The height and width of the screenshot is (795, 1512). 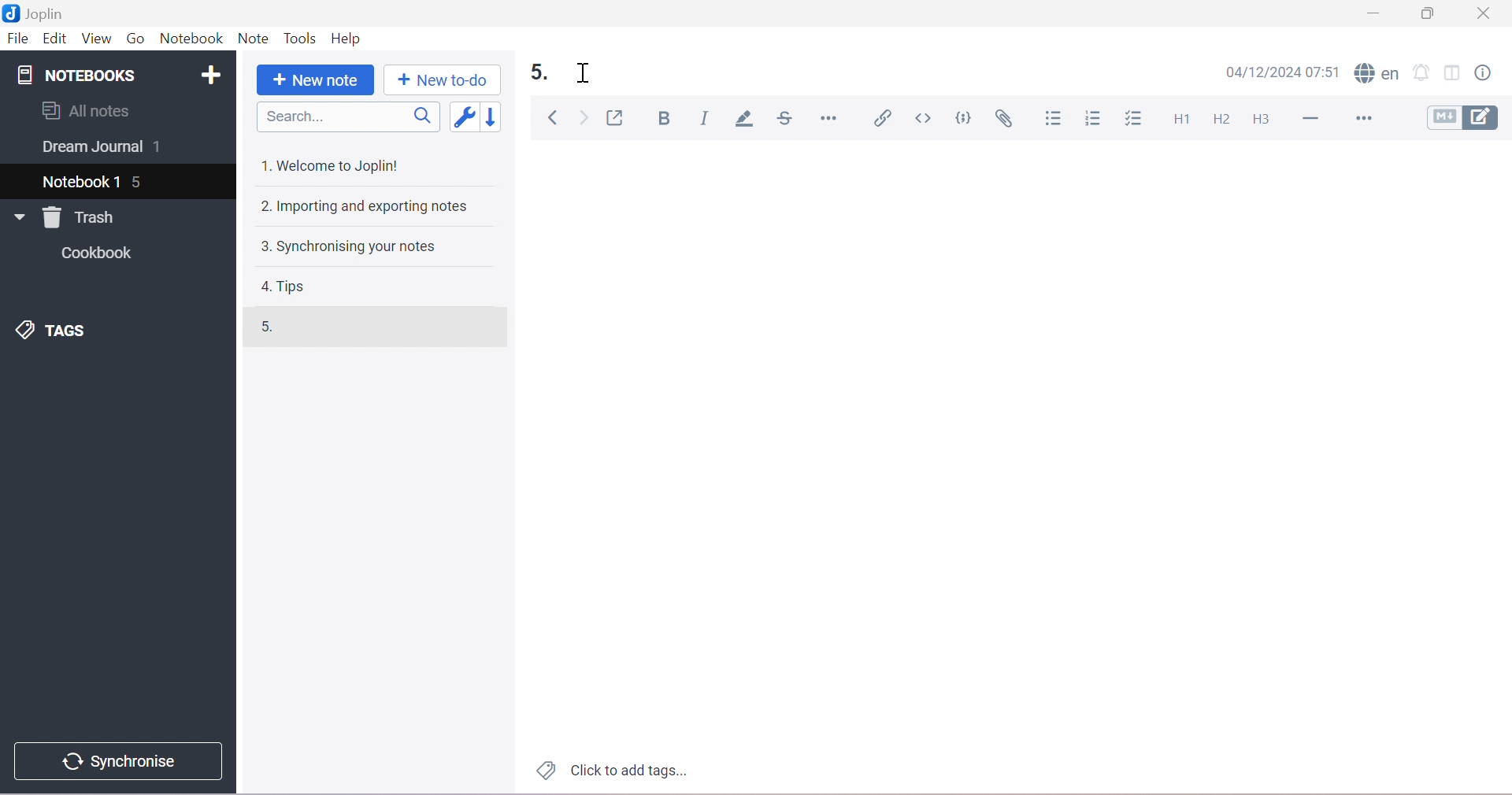 I want to click on Note, so click(x=252, y=39).